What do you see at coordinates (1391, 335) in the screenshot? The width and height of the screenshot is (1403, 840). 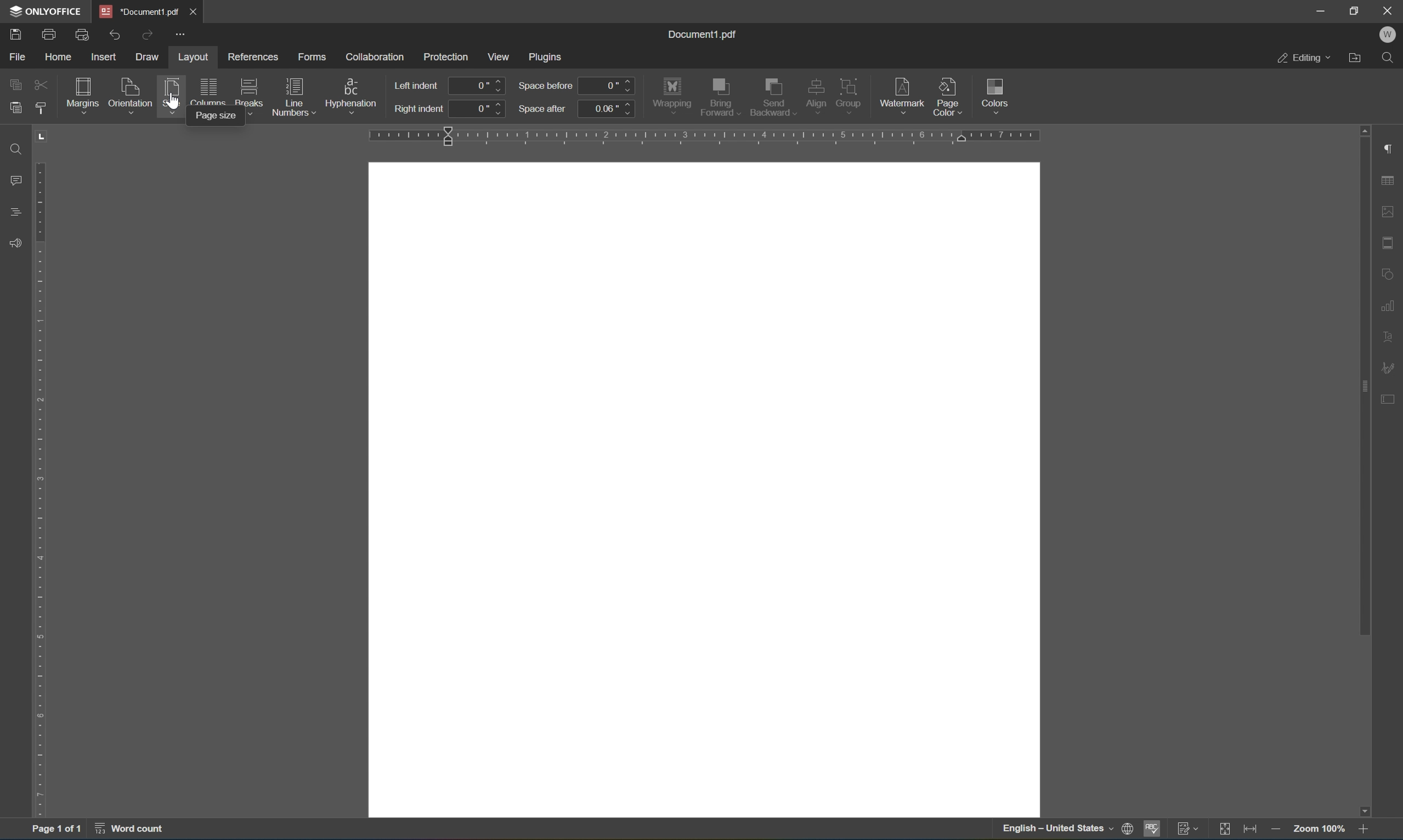 I see `text art settings` at bounding box center [1391, 335].